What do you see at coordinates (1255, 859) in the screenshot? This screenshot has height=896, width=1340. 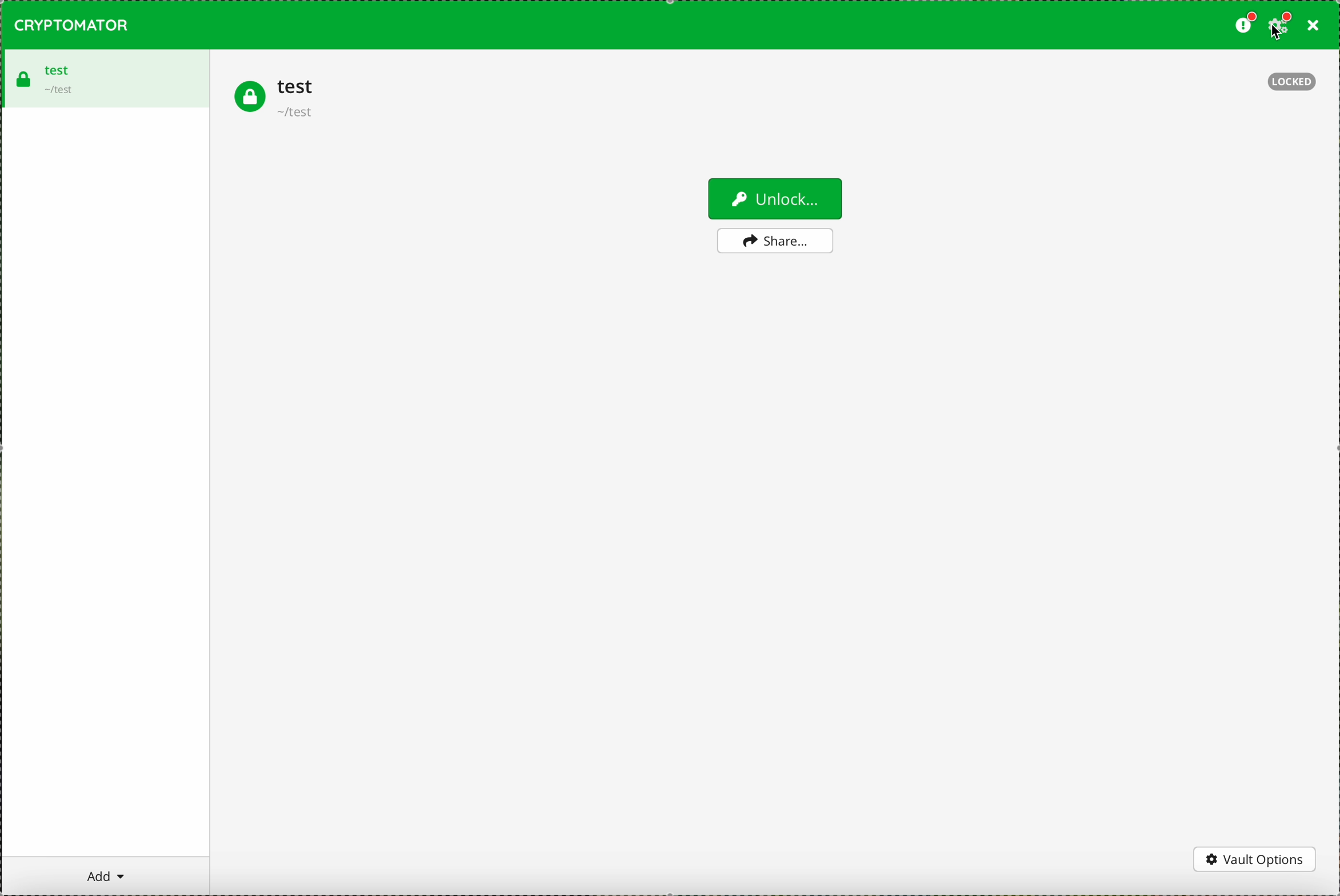 I see `vault options` at bounding box center [1255, 859].